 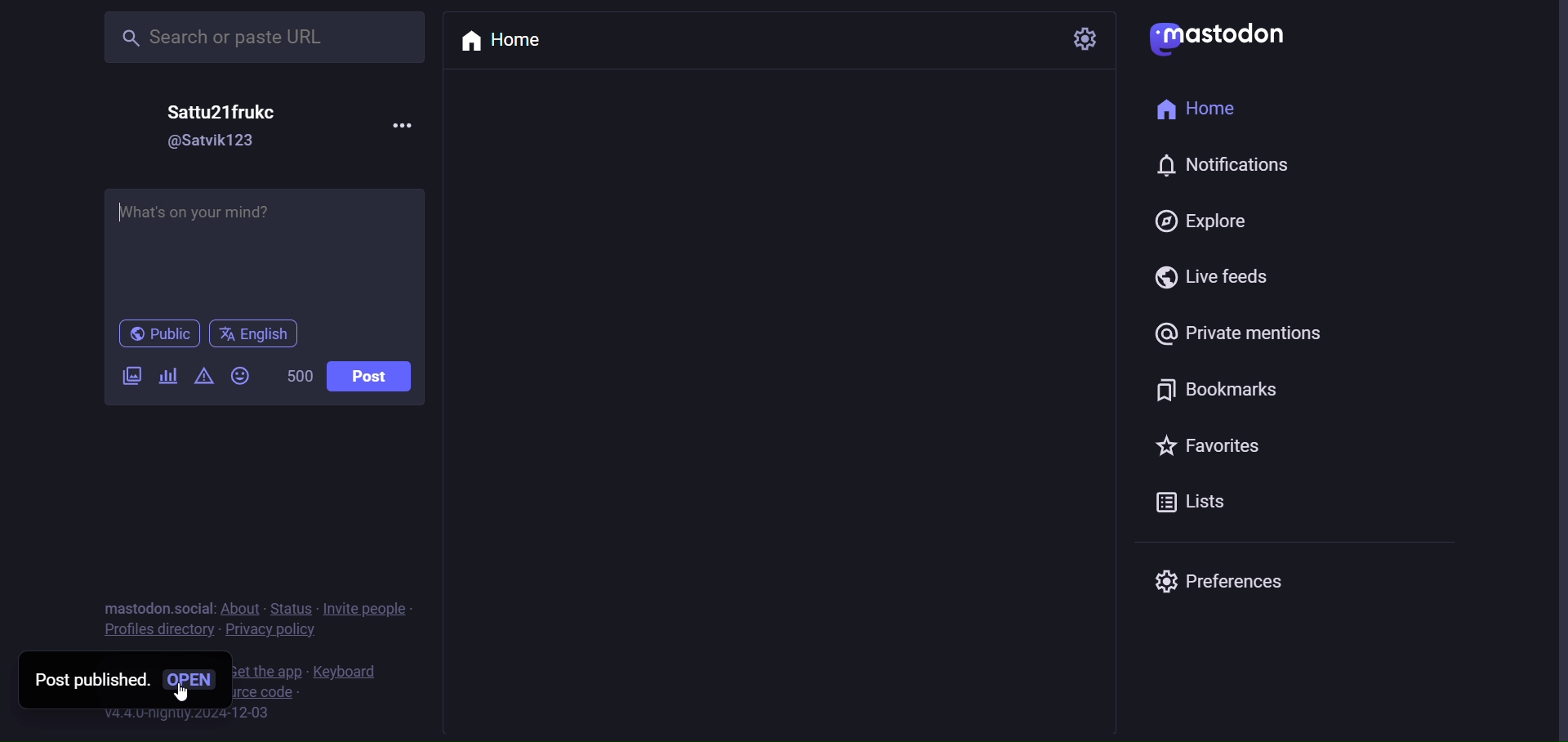 I want to click on post published, so click(x=82, y=680).